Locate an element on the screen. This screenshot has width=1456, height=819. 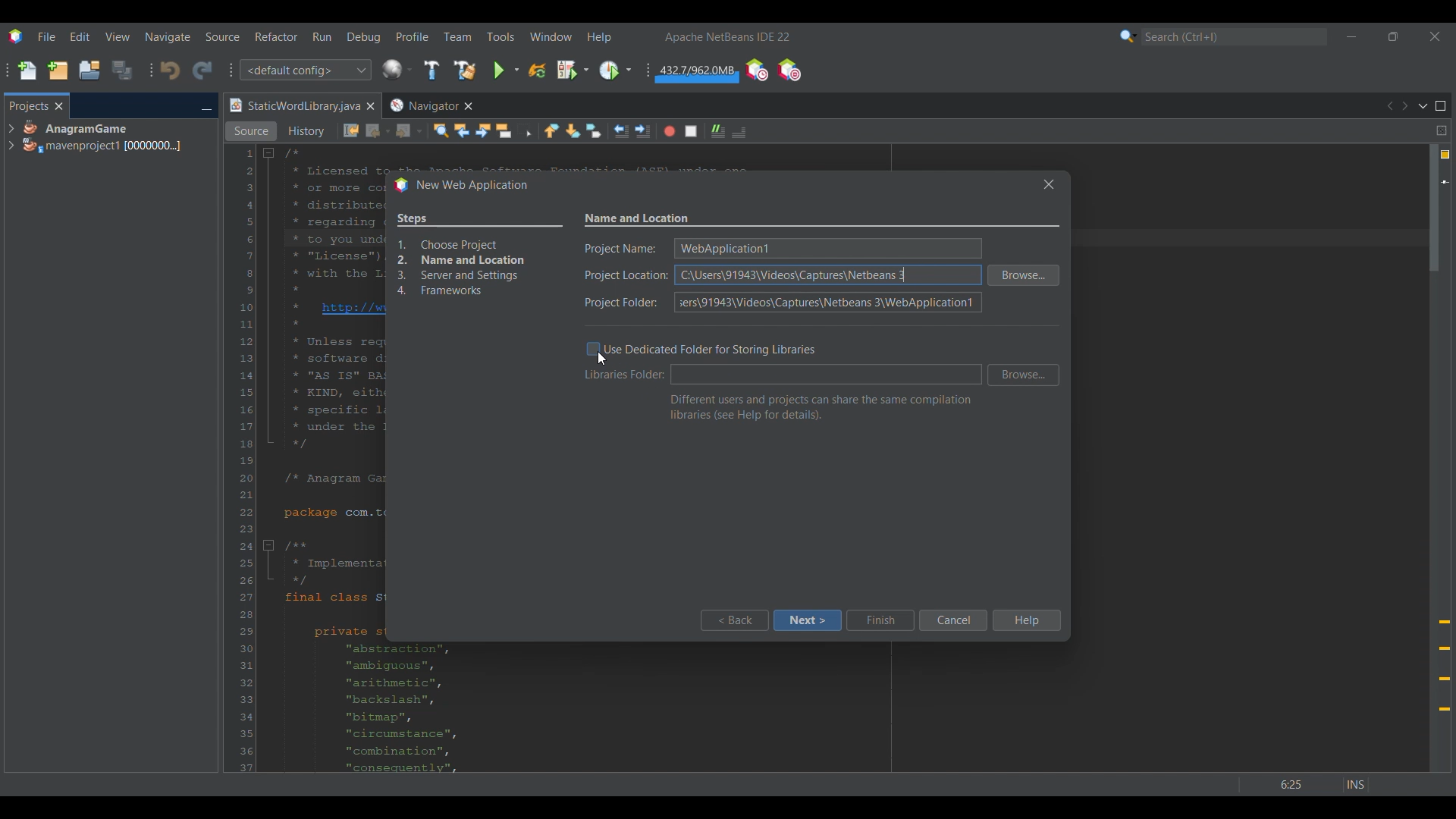
Show in smaller tab is located at coordinates (1393, 36).